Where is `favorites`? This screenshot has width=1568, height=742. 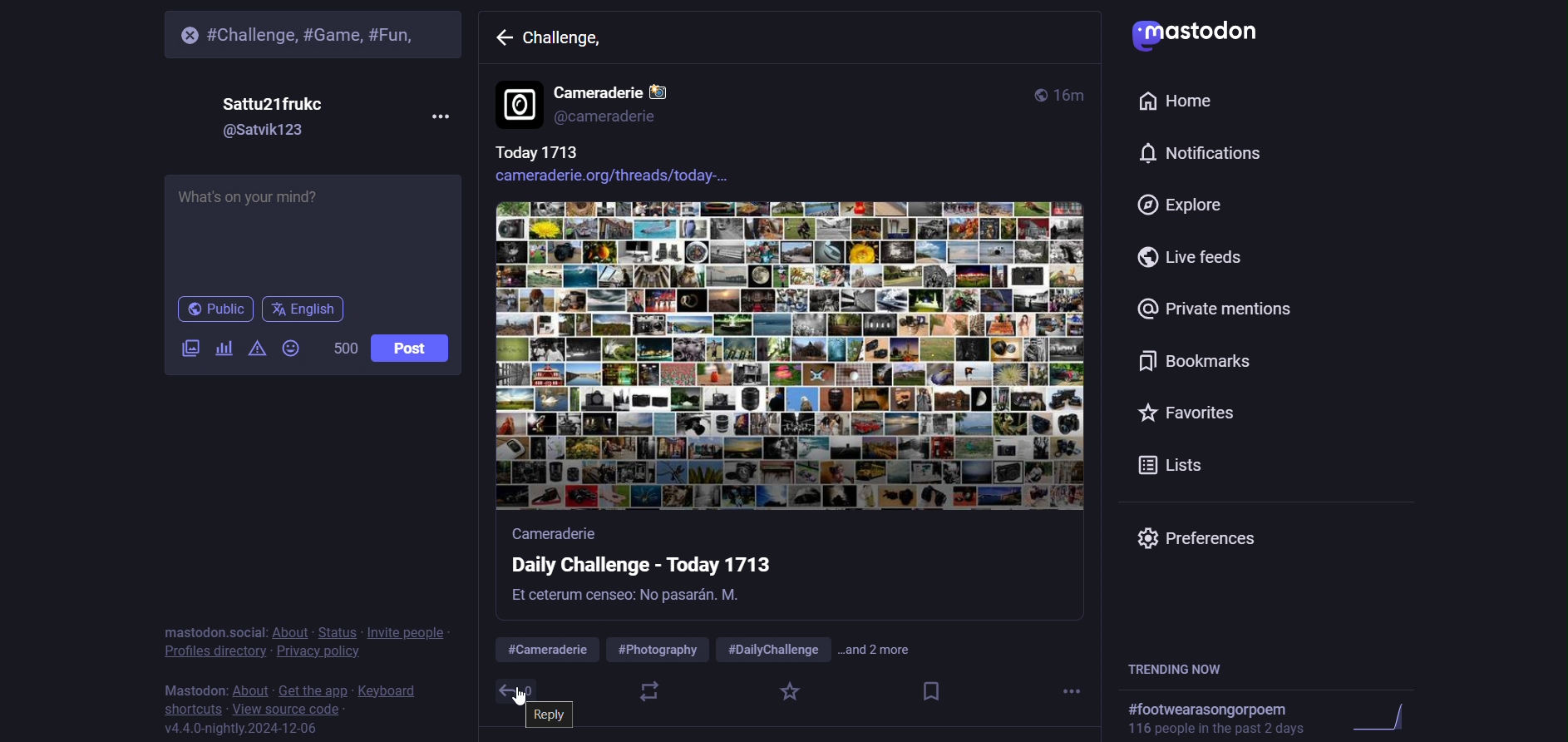 favorites is located at coordinates (1187, 411).